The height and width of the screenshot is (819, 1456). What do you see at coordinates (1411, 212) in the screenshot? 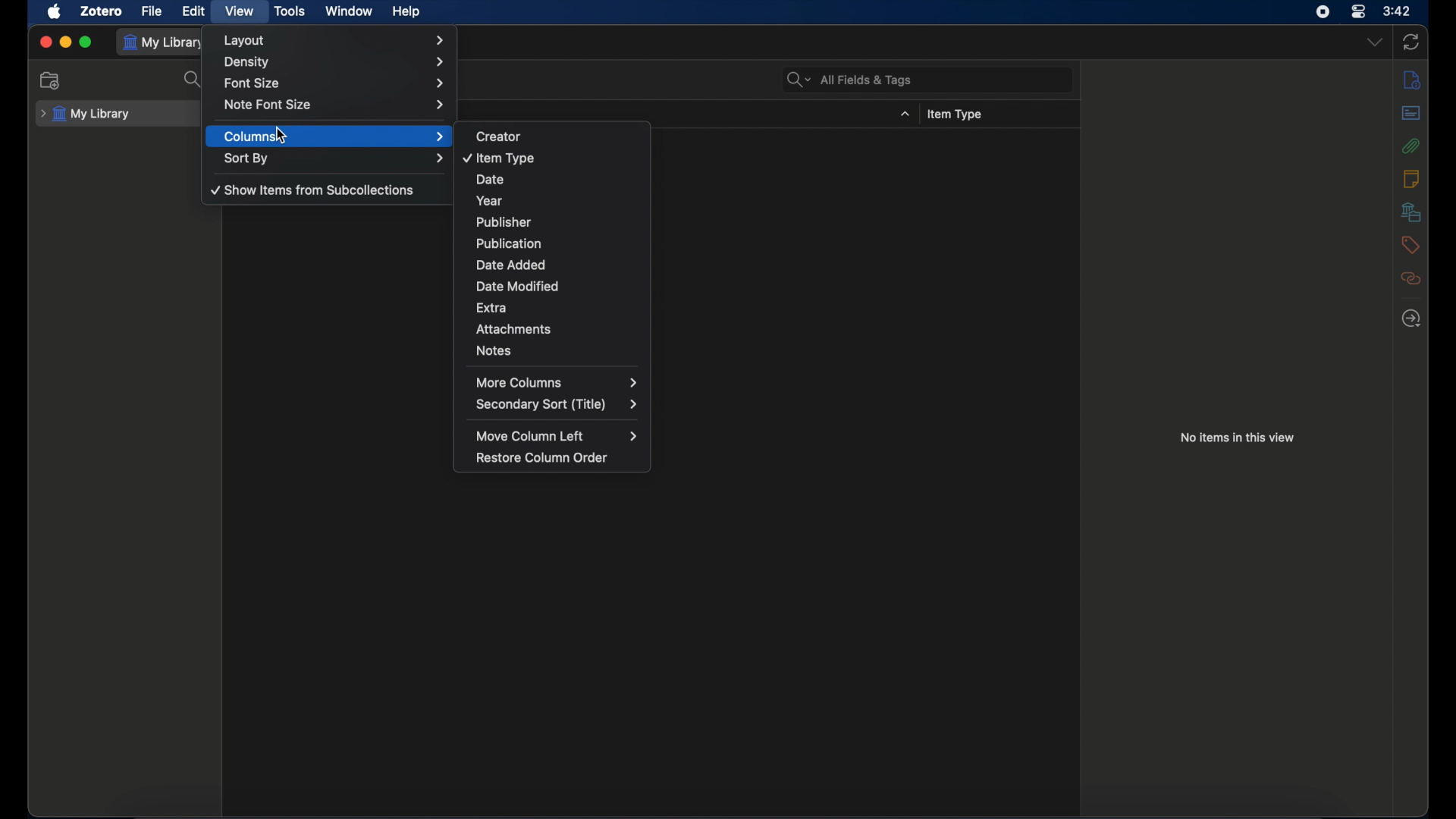
I see `libraries` at bounding box center [1411, 212].